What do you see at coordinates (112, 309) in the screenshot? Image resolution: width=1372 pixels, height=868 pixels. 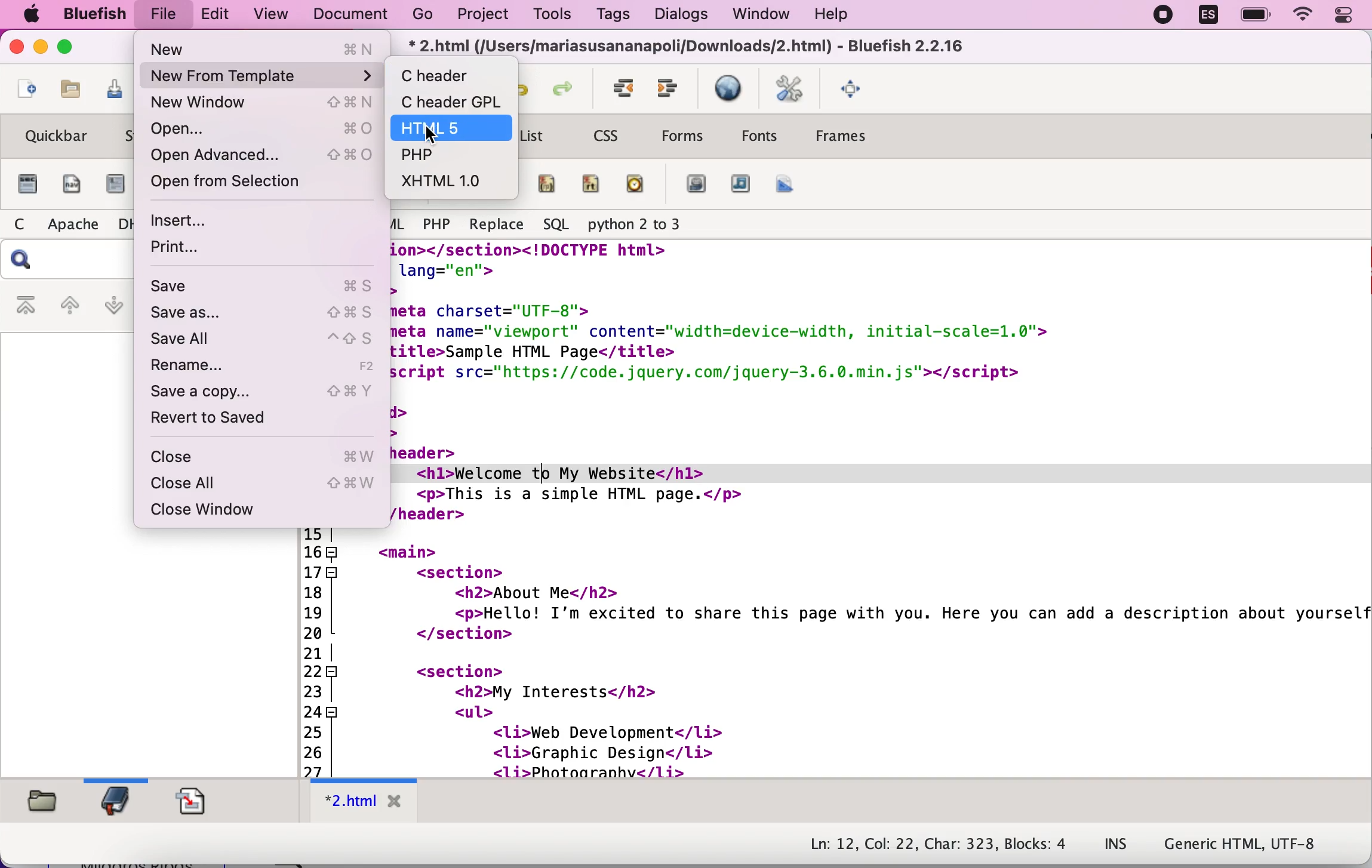 I see `next bookmark` at bounding box center [112, 309].